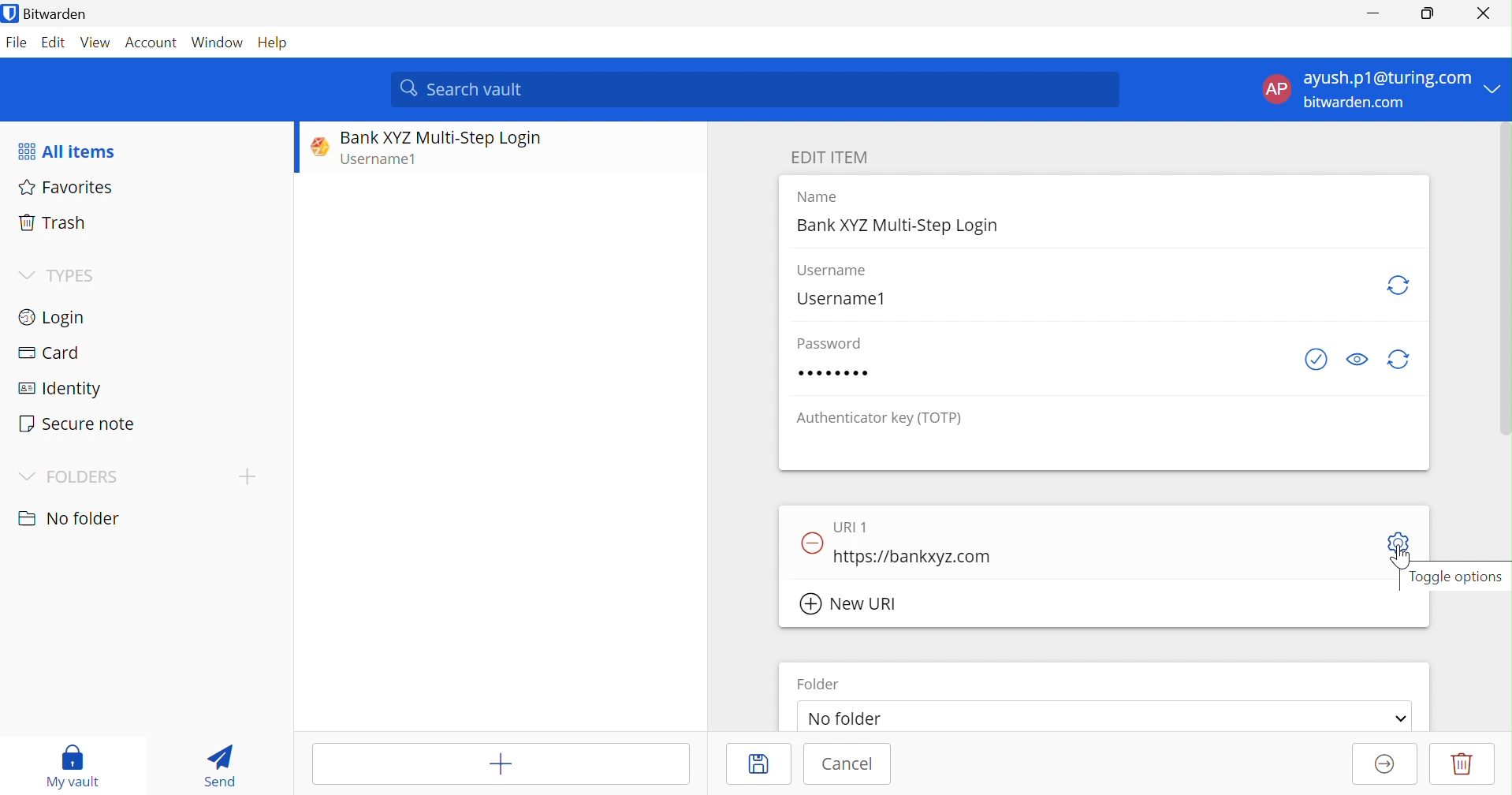  What do you see at coordinates (51, 220) in the screenshot?
I see `Trash` at bounding box center [51, 220].